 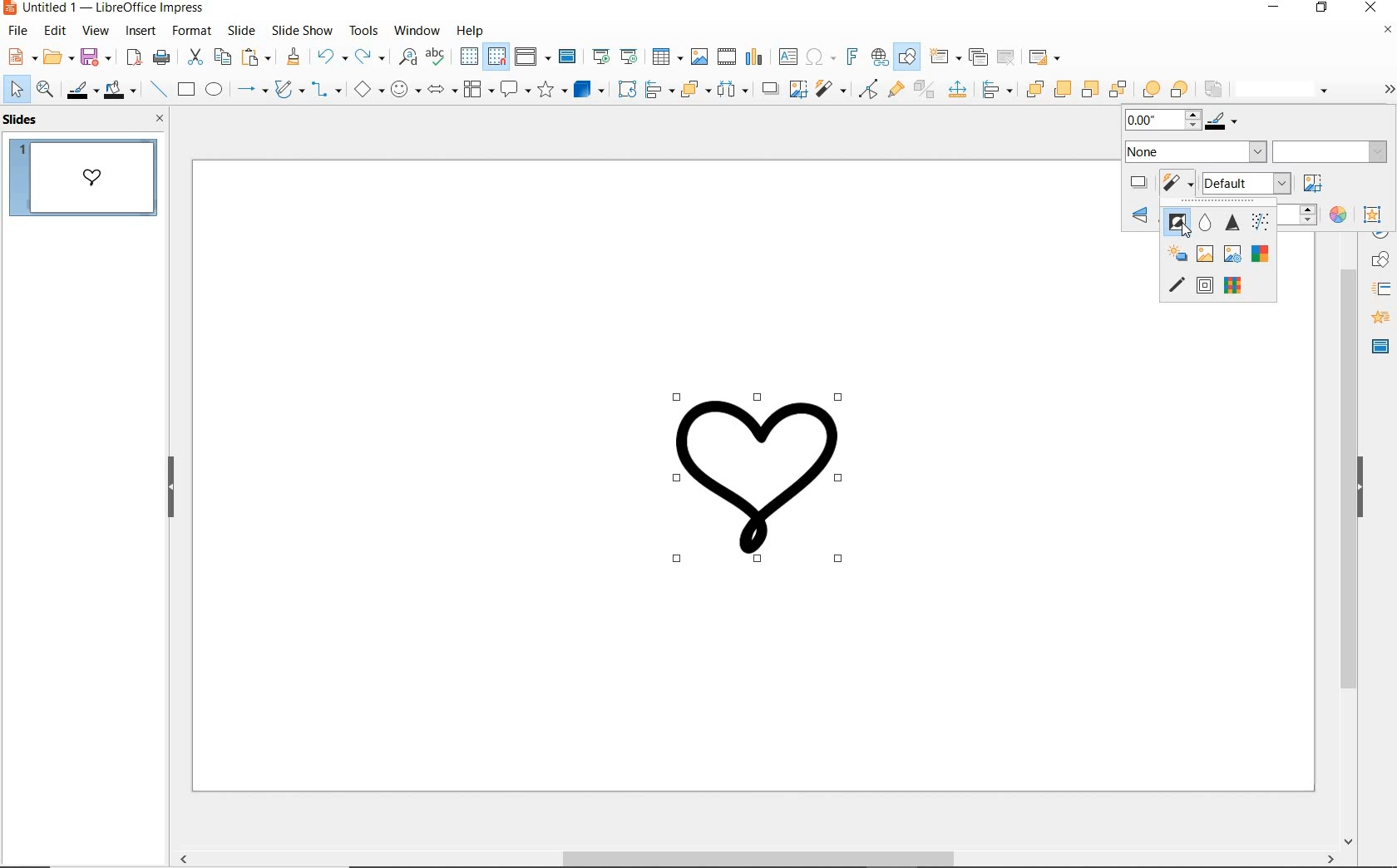 What do you see at coordinates (81, 90) in the screenshot?
I see `line color` at bounding box center [81, 90].